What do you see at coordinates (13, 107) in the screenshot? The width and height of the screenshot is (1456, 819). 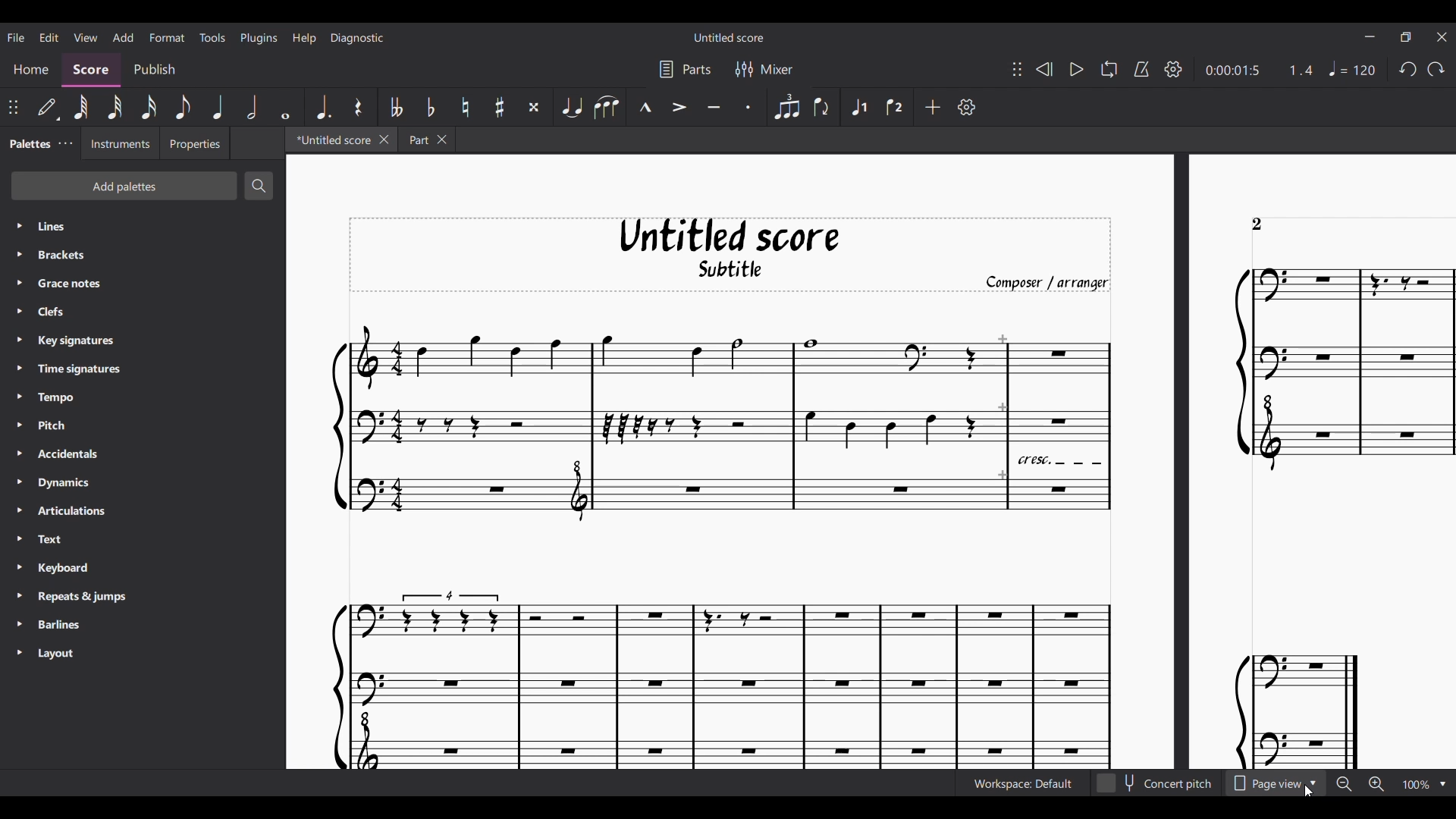 I see `Change position of toolbar attached` at bounding box center [13, 107].